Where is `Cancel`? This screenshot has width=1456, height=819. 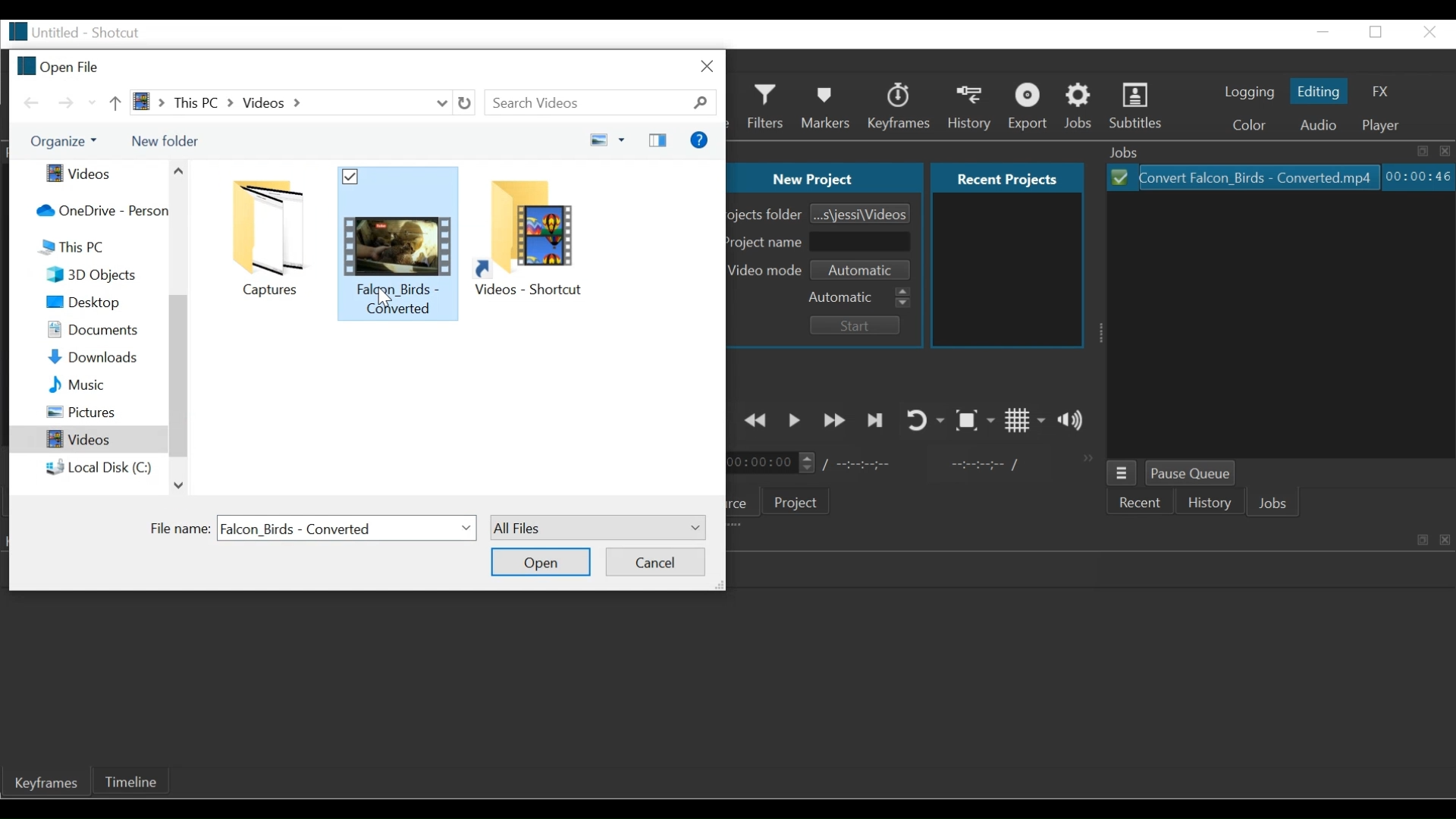 Cancel is located at coordinates (654, 562).